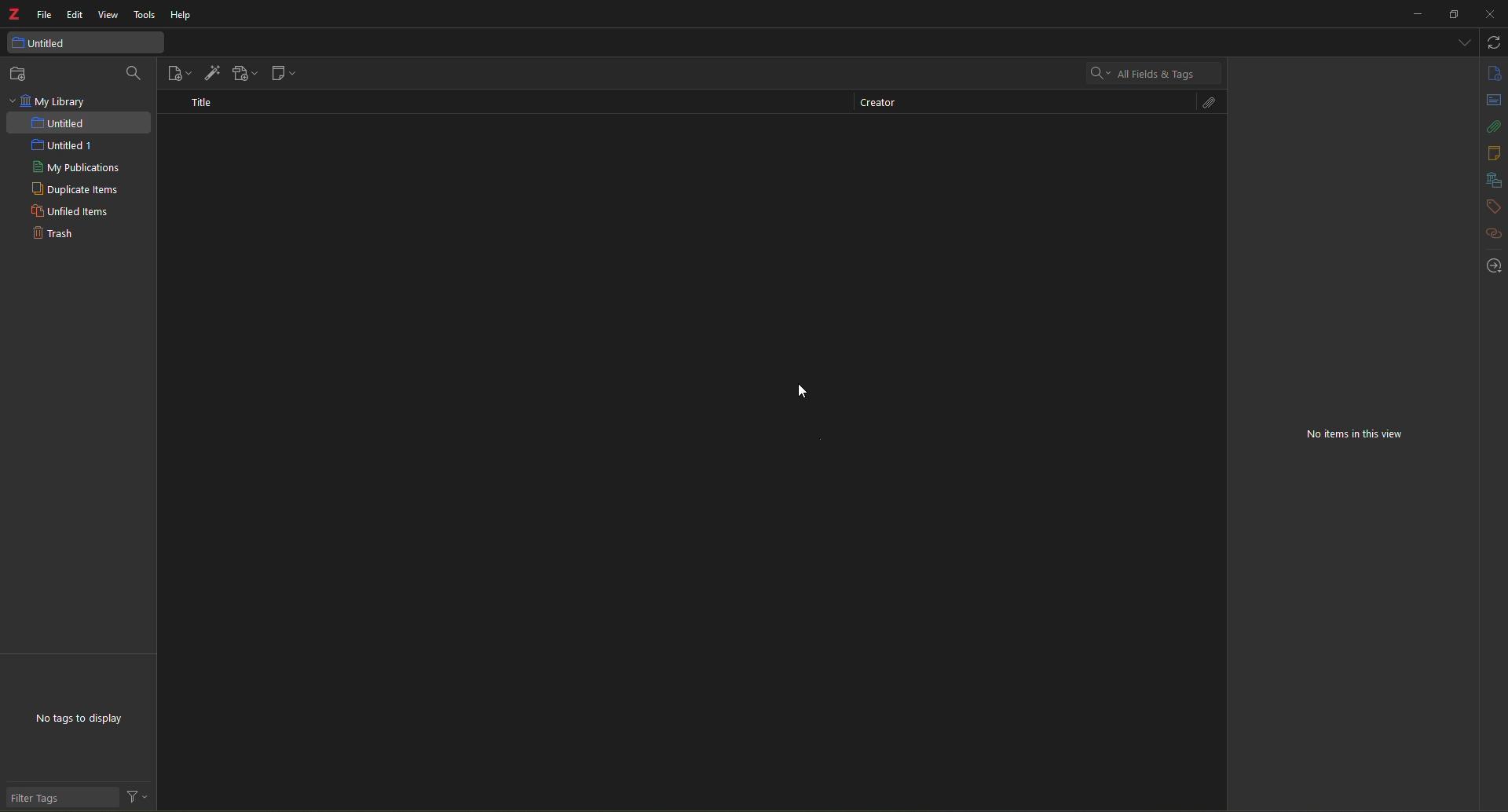  What do you see at coordinates (205, 102) in the screenshot?
I see `title` at bounding box center [205, 102].